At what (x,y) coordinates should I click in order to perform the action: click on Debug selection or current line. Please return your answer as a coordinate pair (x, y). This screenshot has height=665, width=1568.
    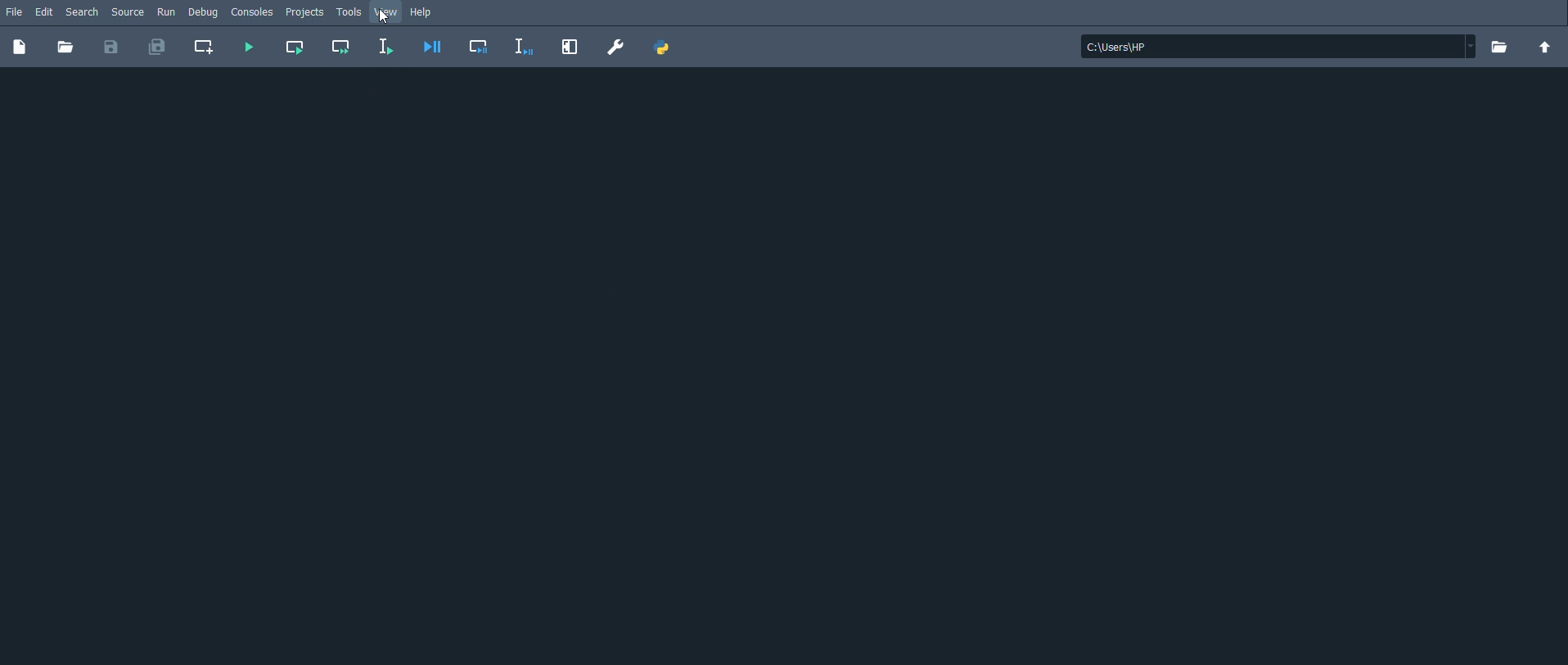
    Looking at the image, I should click on (526, 48).